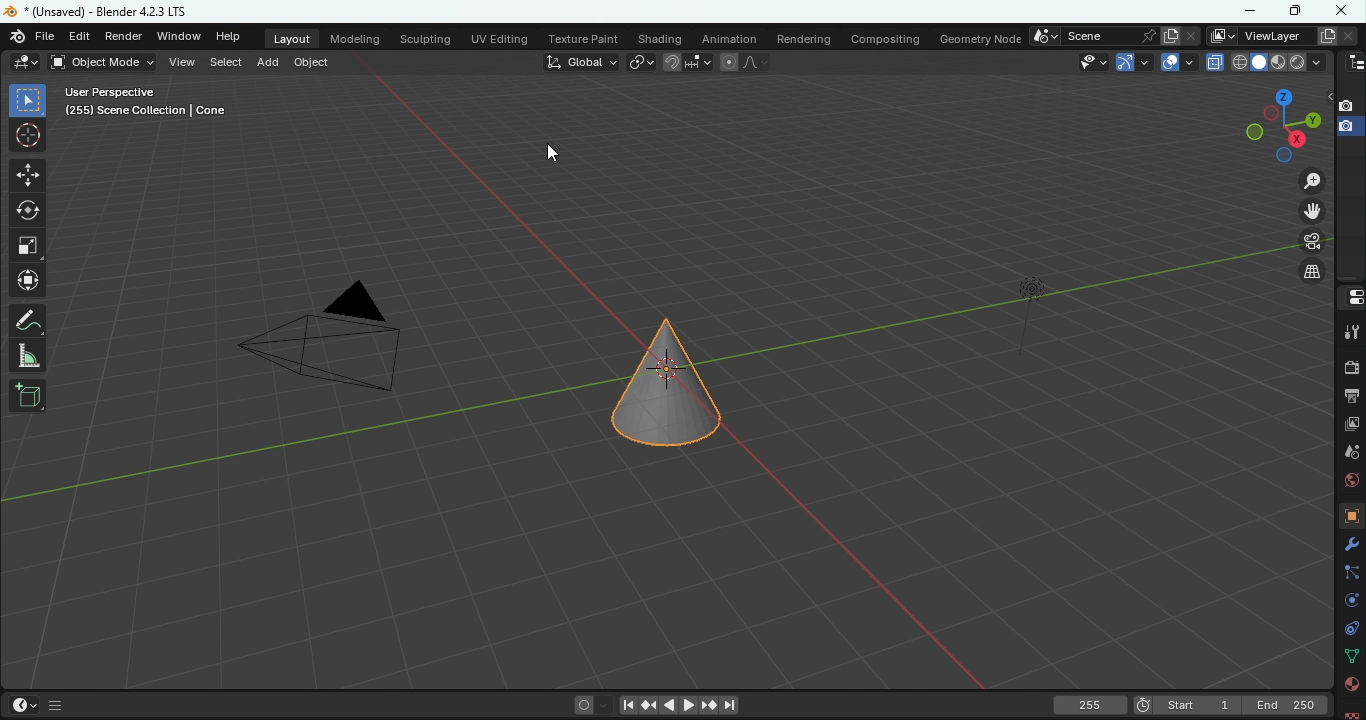 This screenshot has height=720, width=1366. What do you see at coordinates (1349, 128) in the screenshot?
I see `Disable in render` at bounding box center [1349, 128].